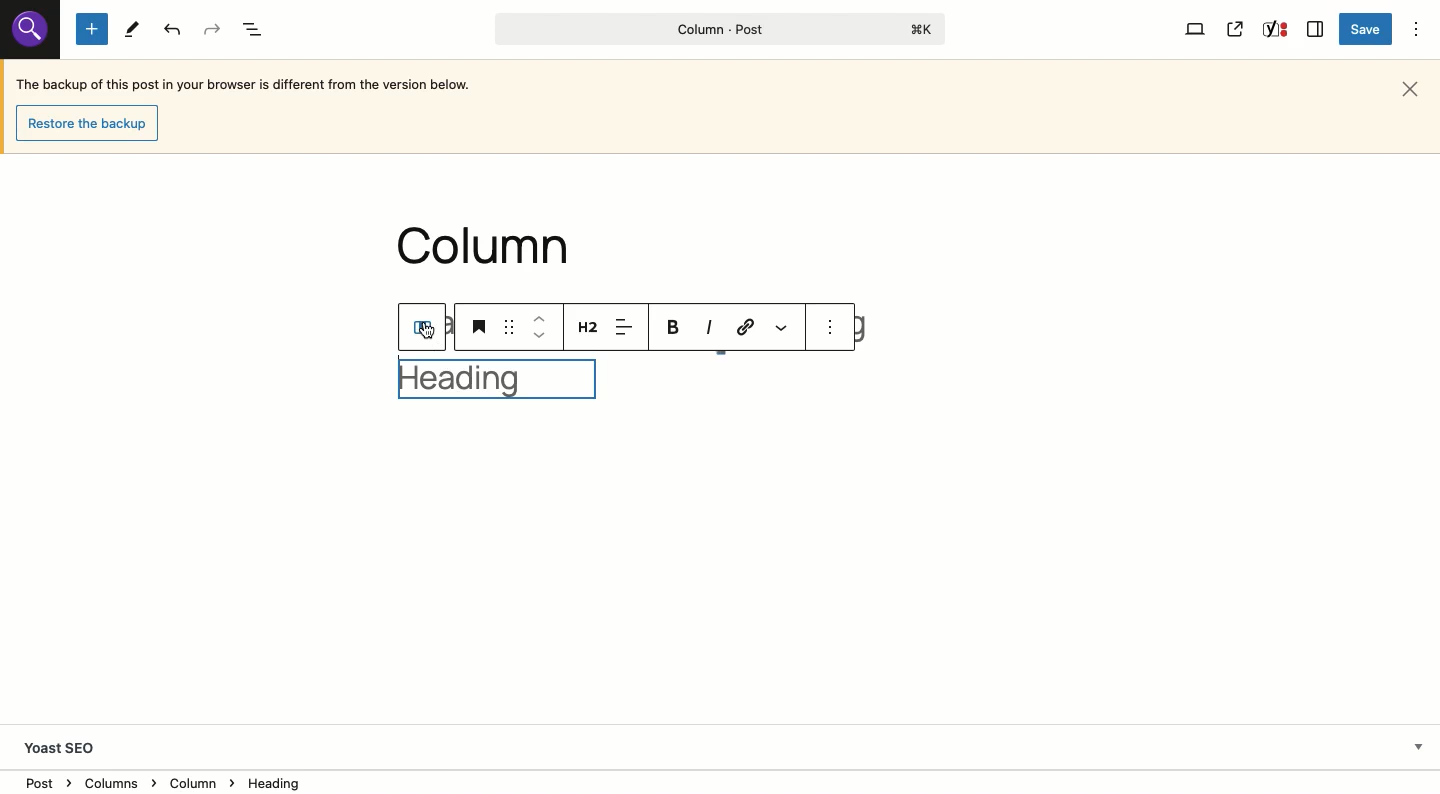 This screenshot has height=794, width=1440. I want to click on drag, so click(514, 324).